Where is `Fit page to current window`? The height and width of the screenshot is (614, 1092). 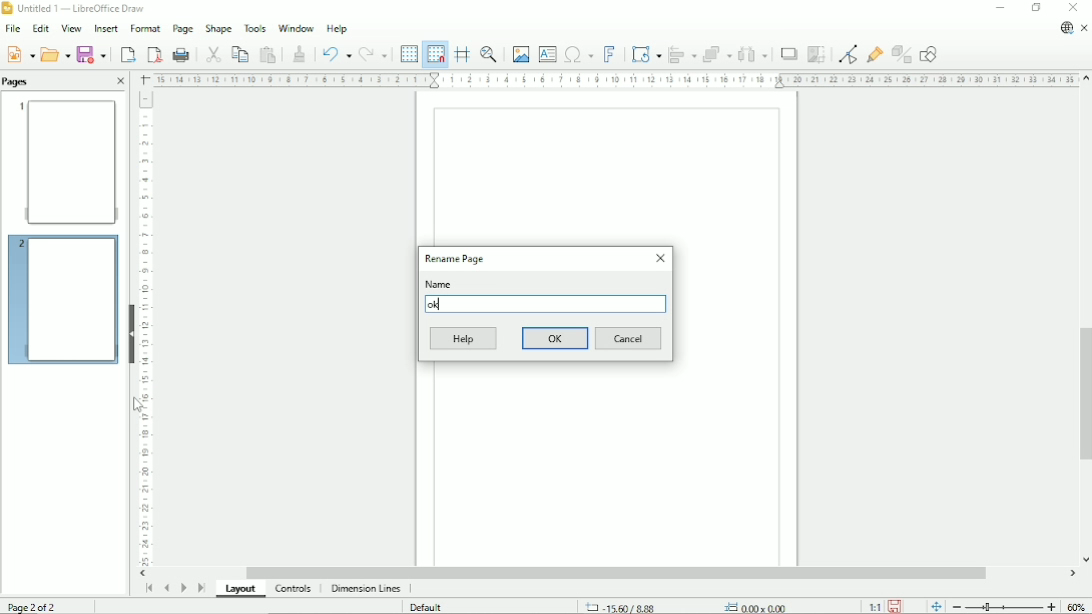 Fit page to current window is located at coordinates (935, 605).